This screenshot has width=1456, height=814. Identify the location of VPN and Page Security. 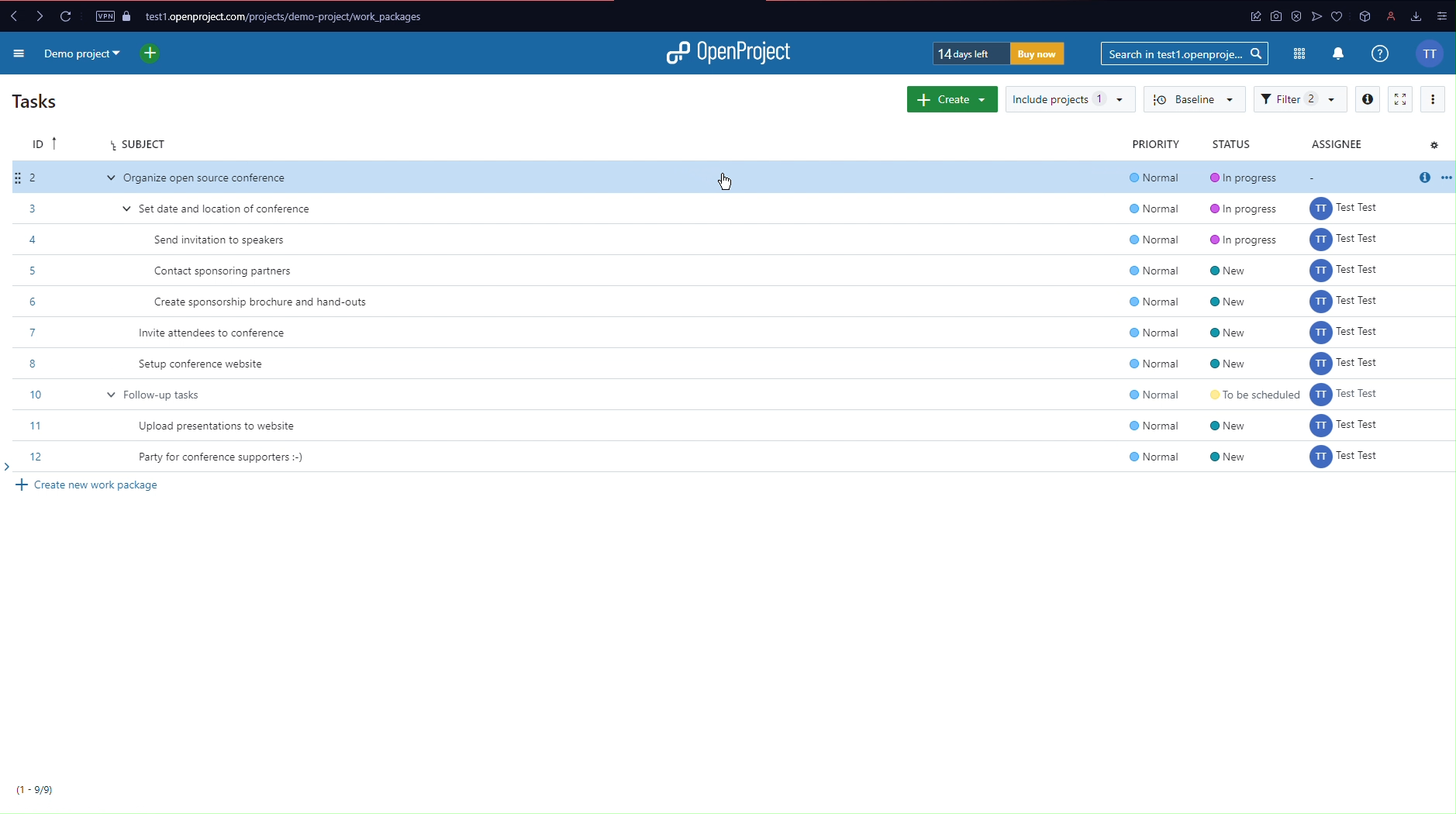
(112, 16).